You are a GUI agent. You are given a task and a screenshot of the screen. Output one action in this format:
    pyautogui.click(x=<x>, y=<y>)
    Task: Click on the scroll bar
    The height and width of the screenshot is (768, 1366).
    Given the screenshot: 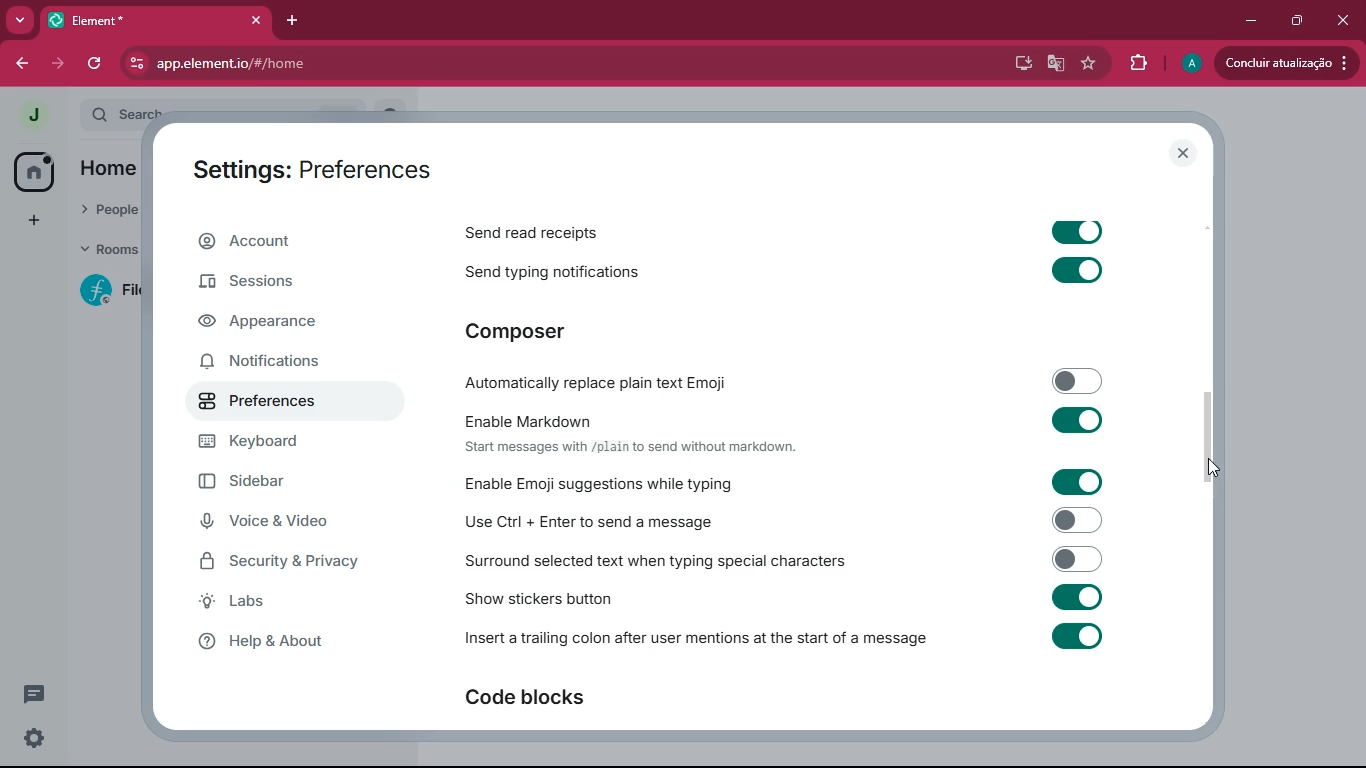 What is the action you would take?
    pyautogui.click(x=1206, y=431)
    